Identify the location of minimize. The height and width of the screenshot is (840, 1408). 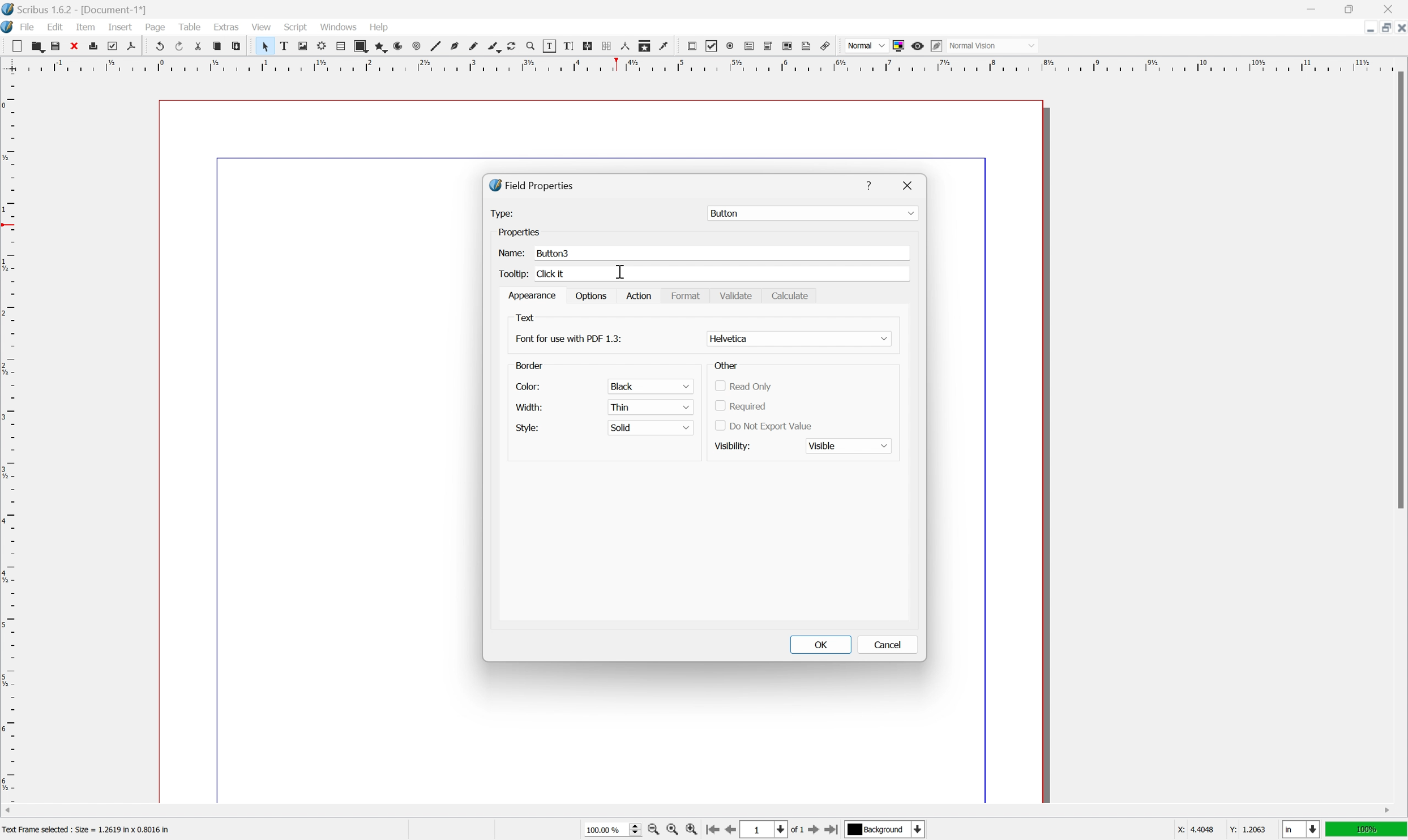
(1316, 8).